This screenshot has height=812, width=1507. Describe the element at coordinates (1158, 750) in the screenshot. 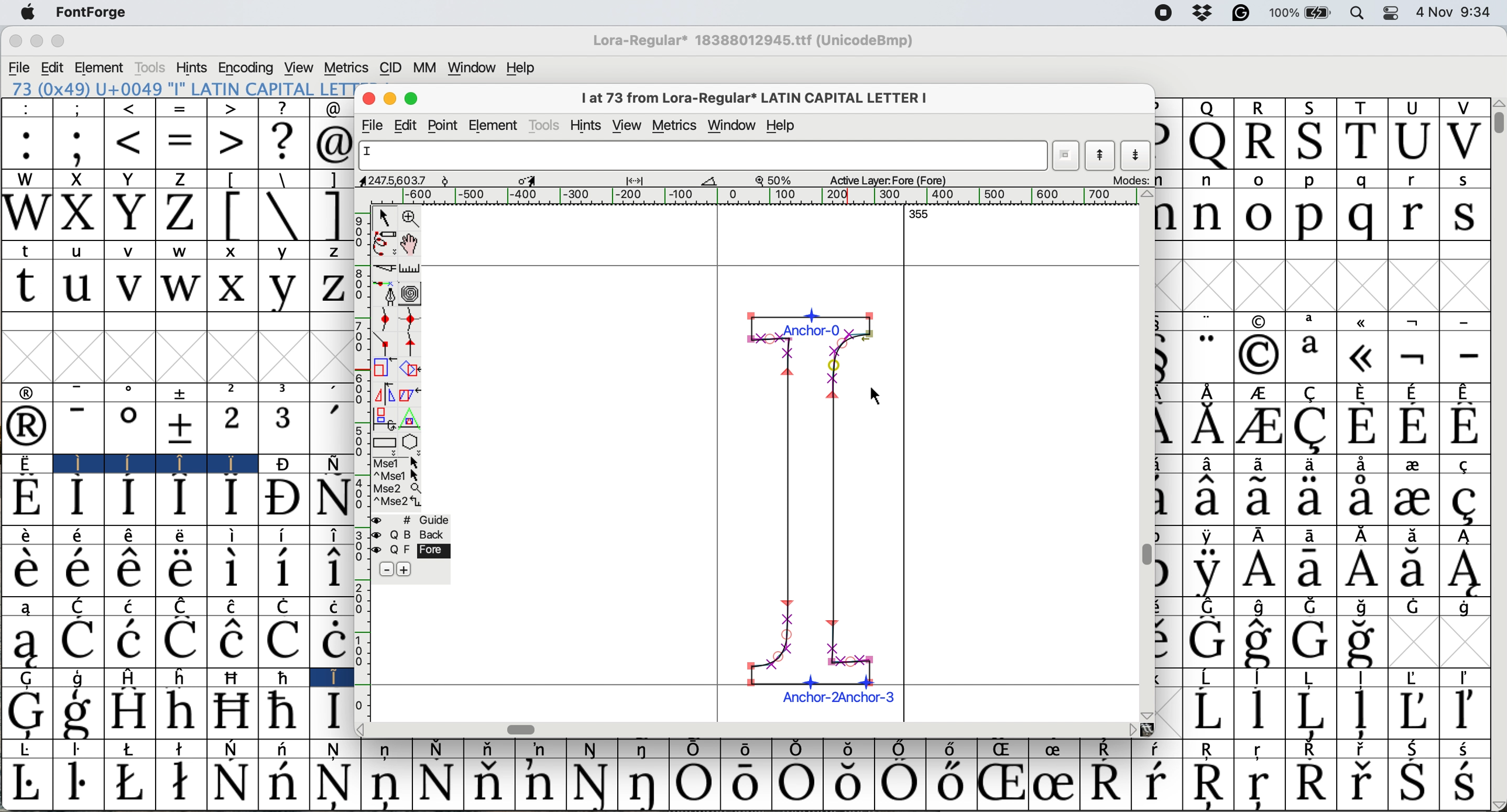

I see `Symbol` at that location.